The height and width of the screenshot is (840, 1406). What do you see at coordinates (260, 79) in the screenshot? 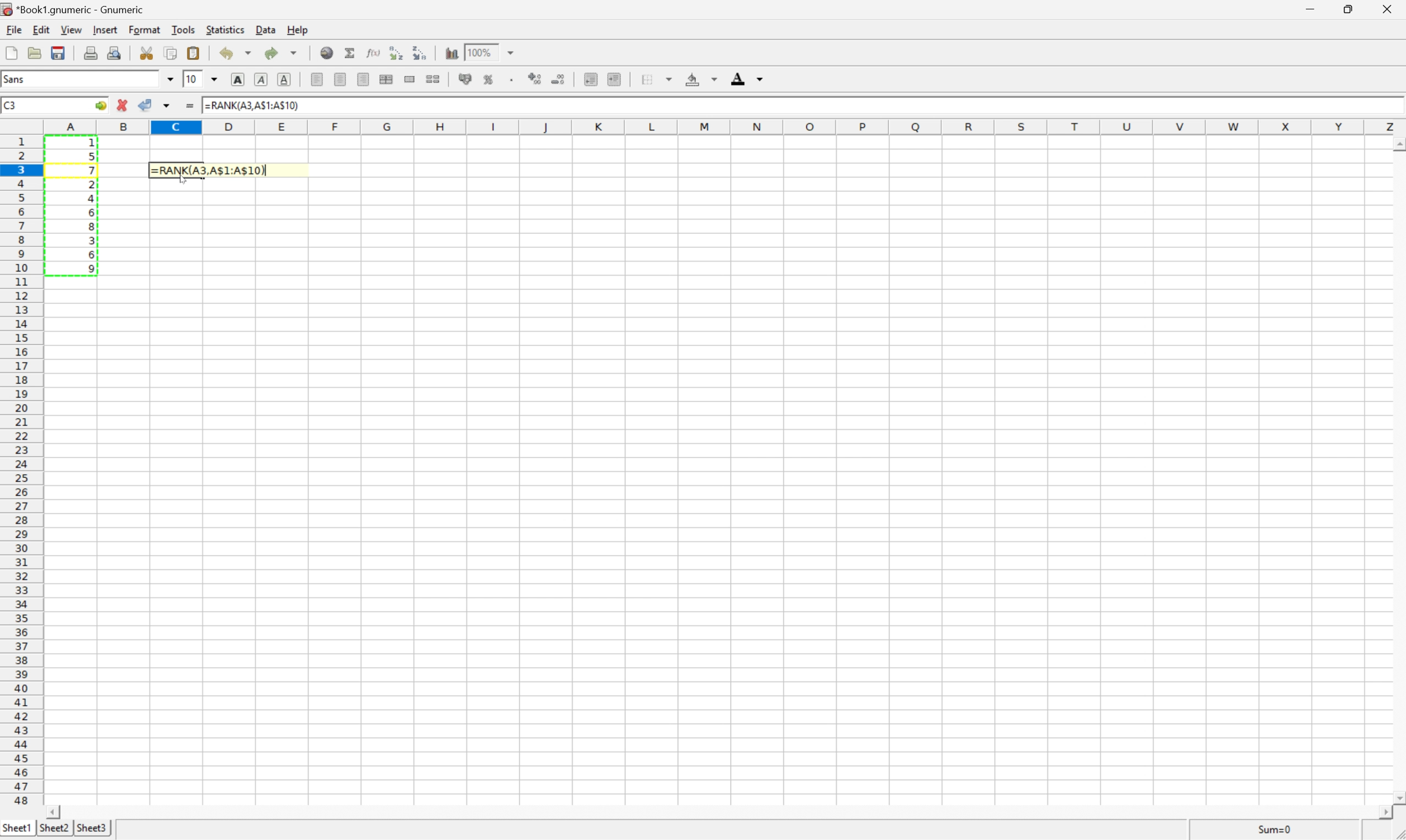
I see `italic` at bounding box center [260, 79].